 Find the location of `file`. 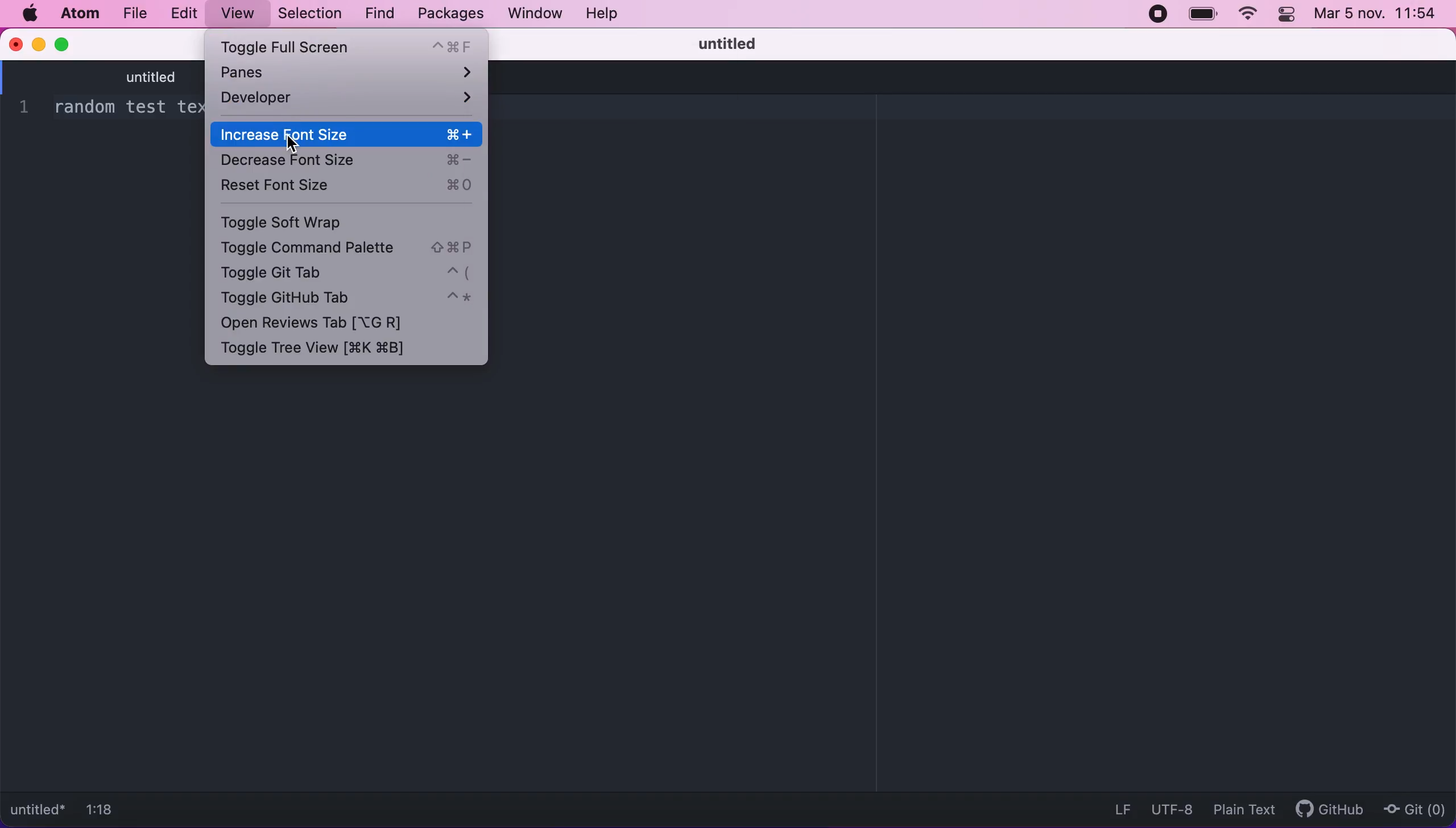

file is located at coordinates (135, 13).